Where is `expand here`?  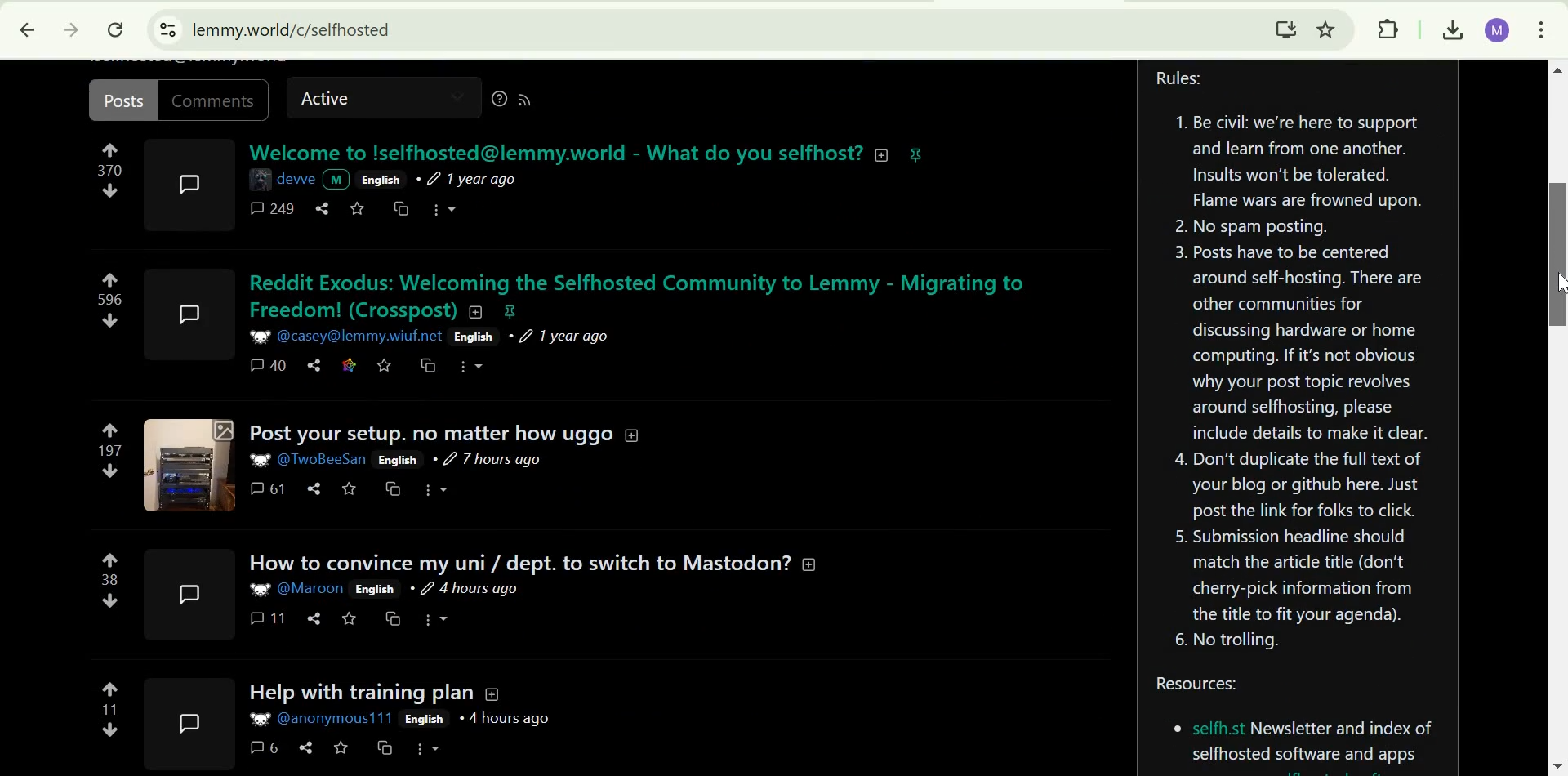
expand here is located at coordinates (189, 463).